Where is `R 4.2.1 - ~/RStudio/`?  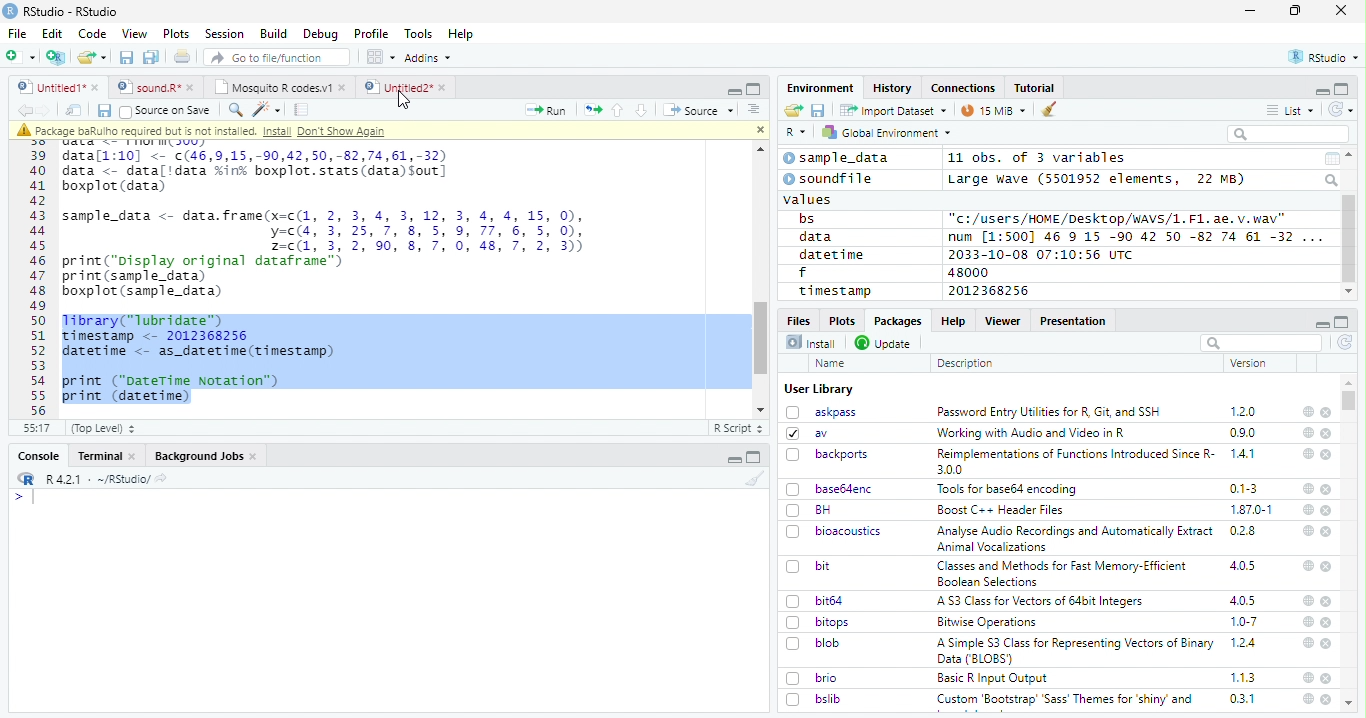
R 4.2.1 - ~/RStudio/ is located at coordinates (95, 479).